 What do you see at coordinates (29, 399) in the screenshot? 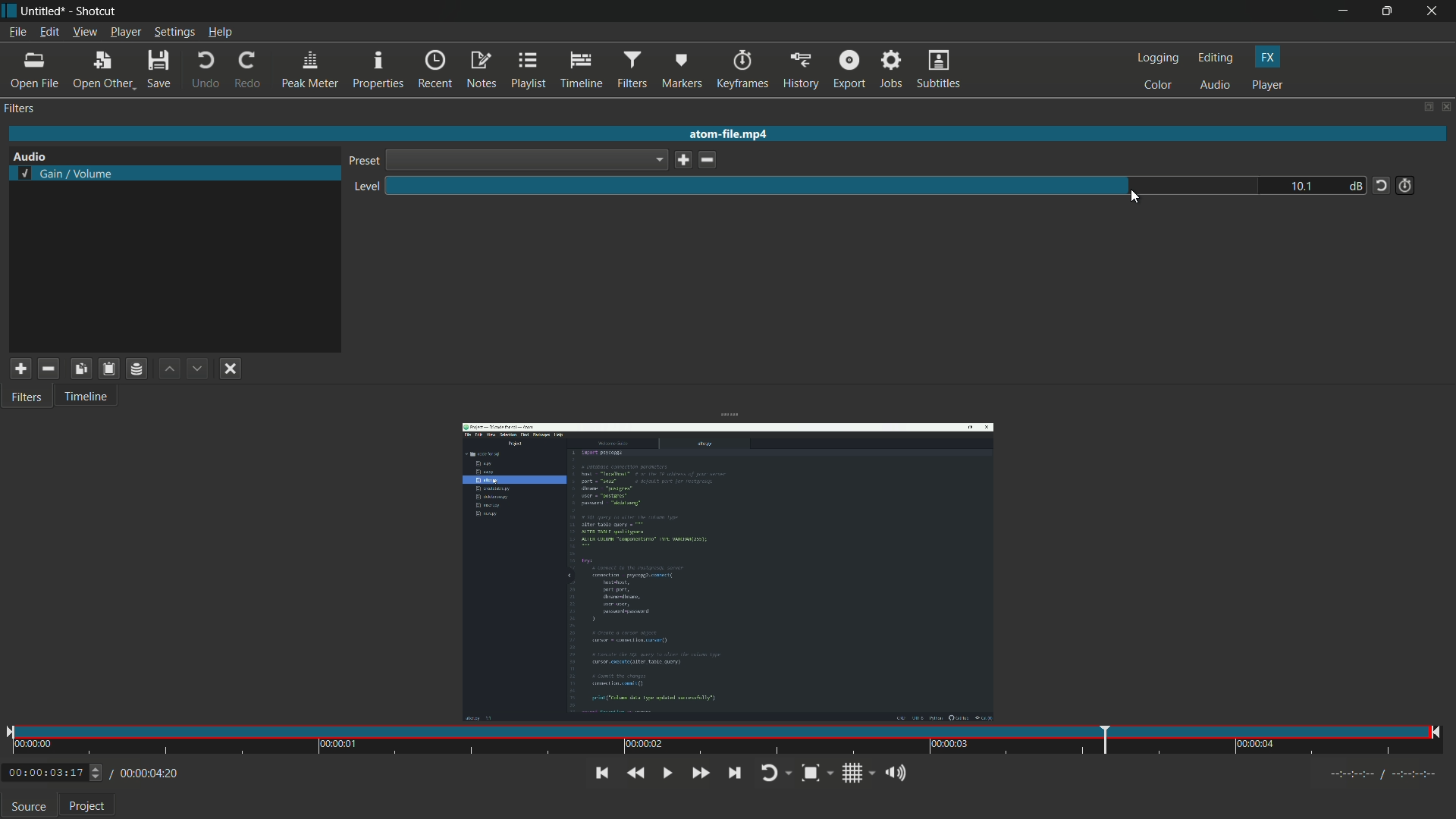
I see `Filters` at bounding box center [29, 399].